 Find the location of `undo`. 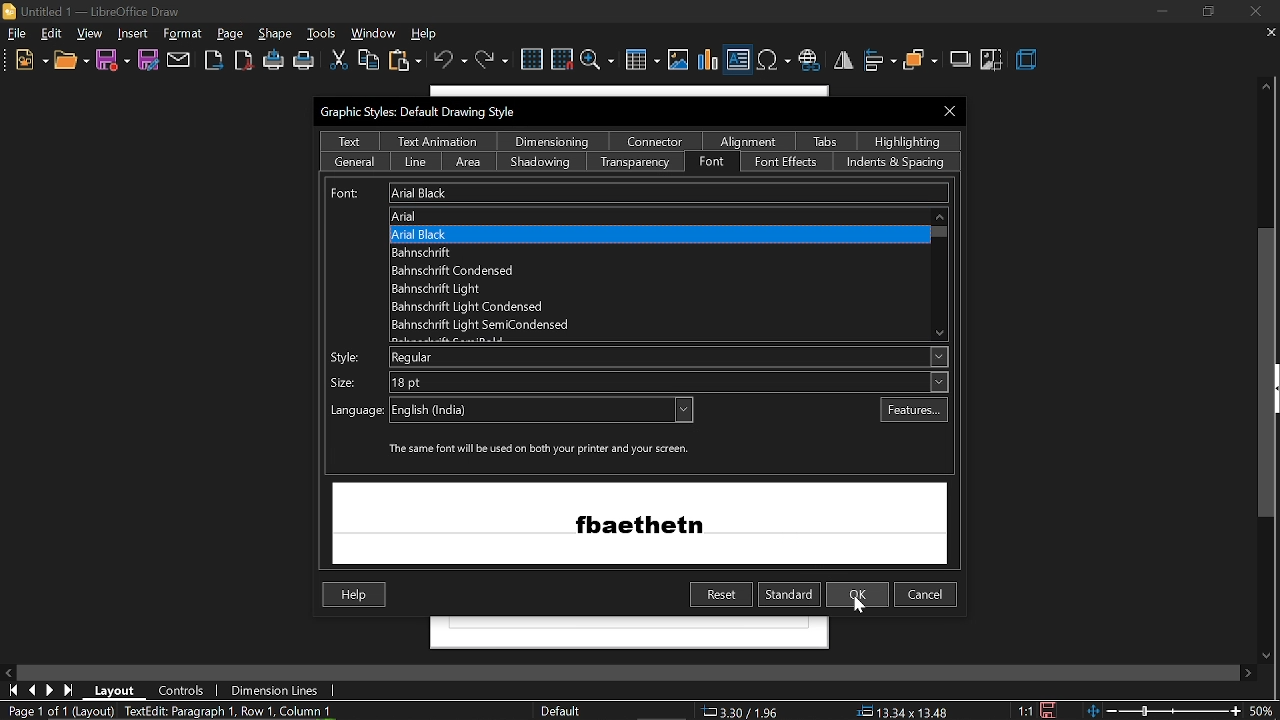

undo is located at coordinates (449, 60).